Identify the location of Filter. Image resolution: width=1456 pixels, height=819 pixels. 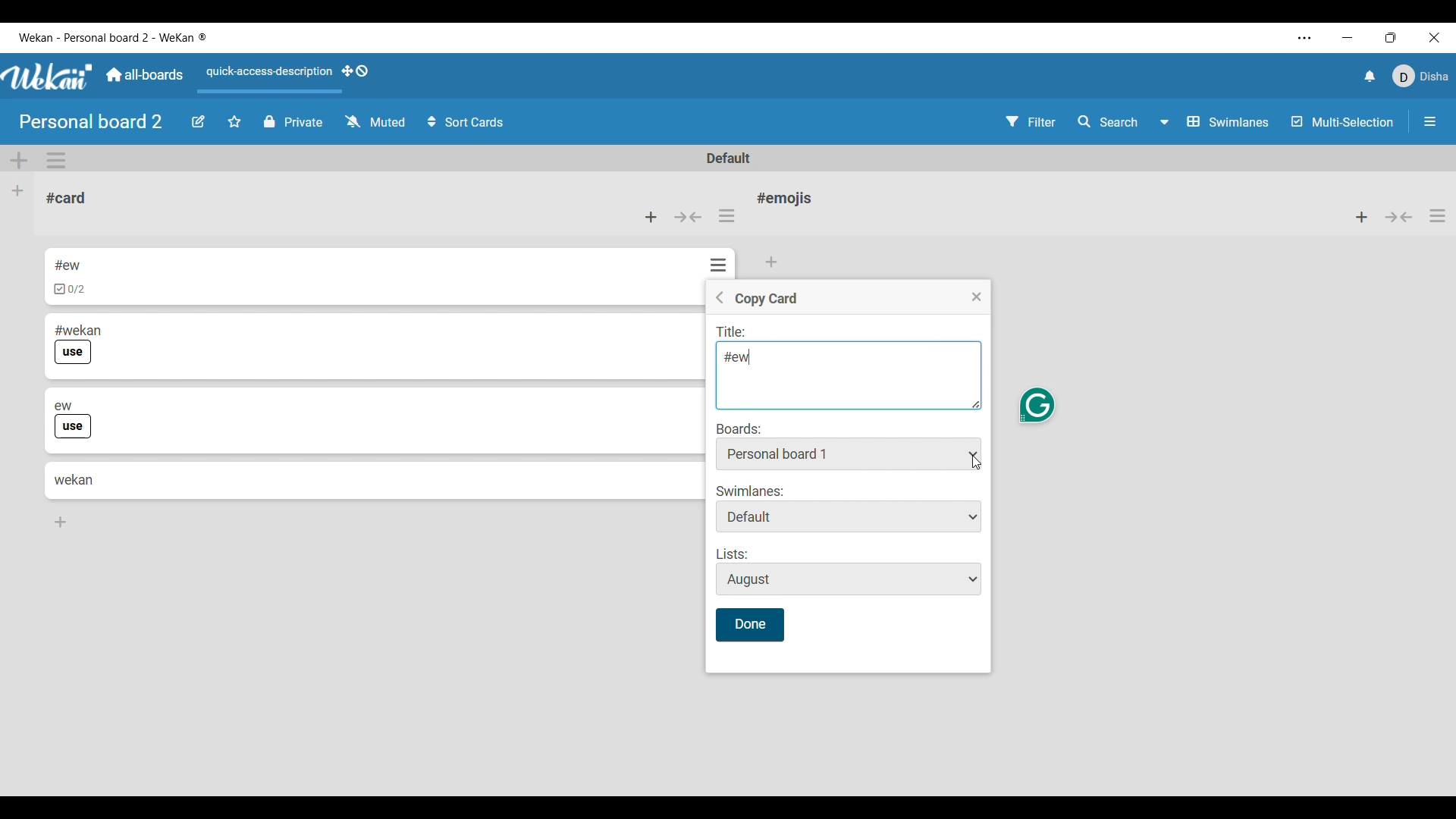
(1031, 121).